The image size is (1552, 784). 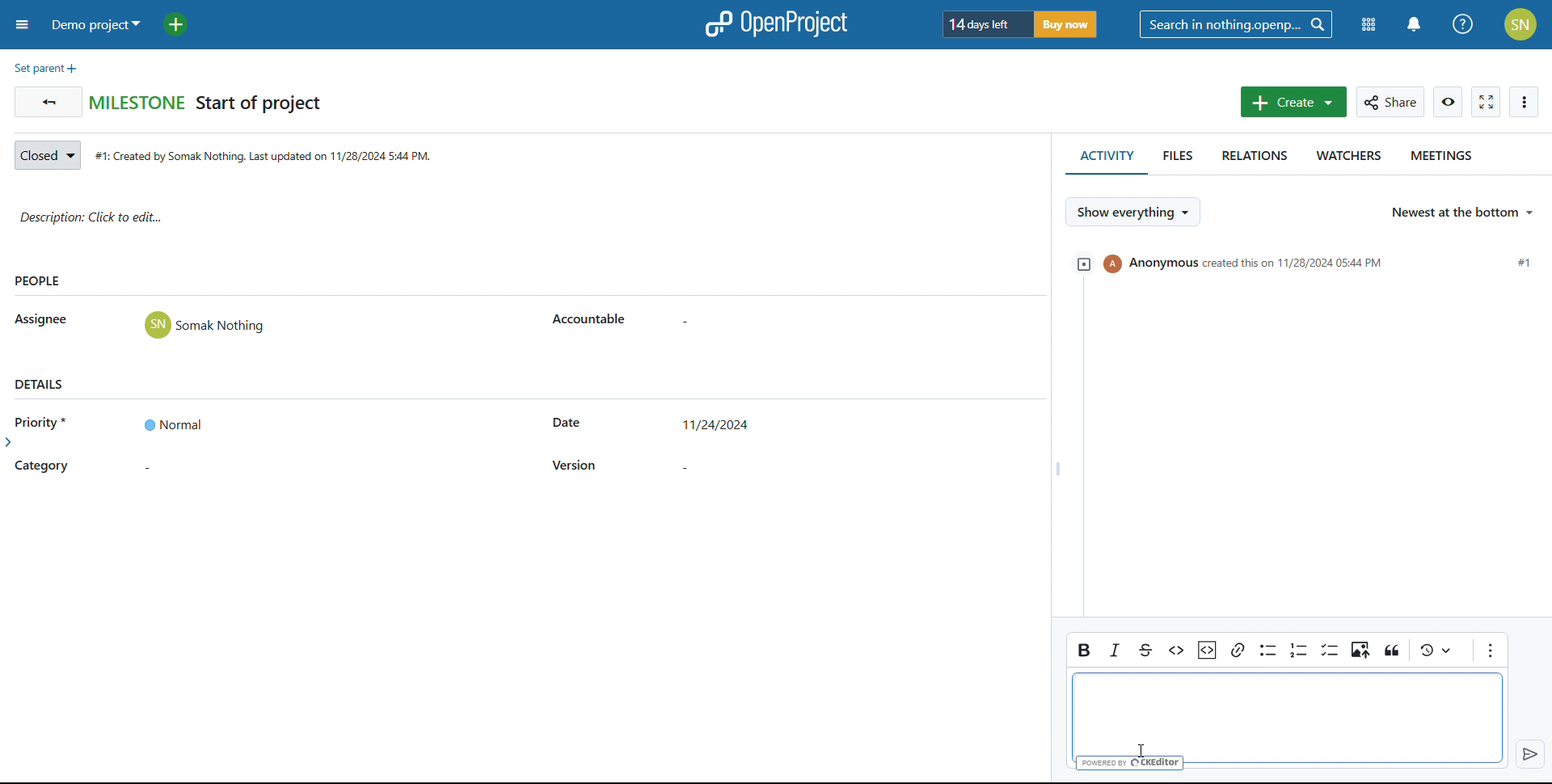 What do you see at coordinates (1249, 160) in the screenshot?
I see `relations` at bounding box center [1249, 160].